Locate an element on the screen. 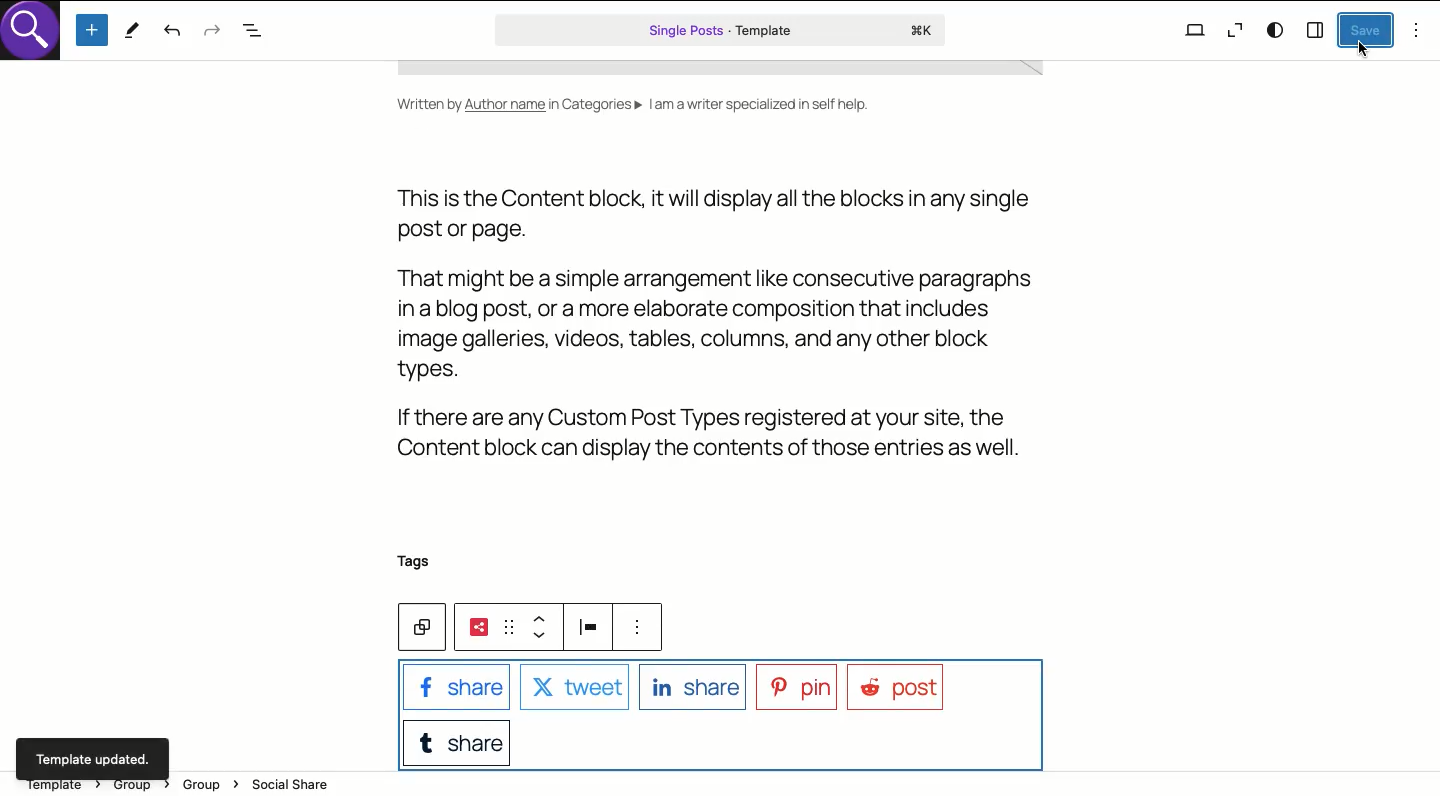 This screenshot has height=796, width=1440. Tools is located at coordinates (132, 32).